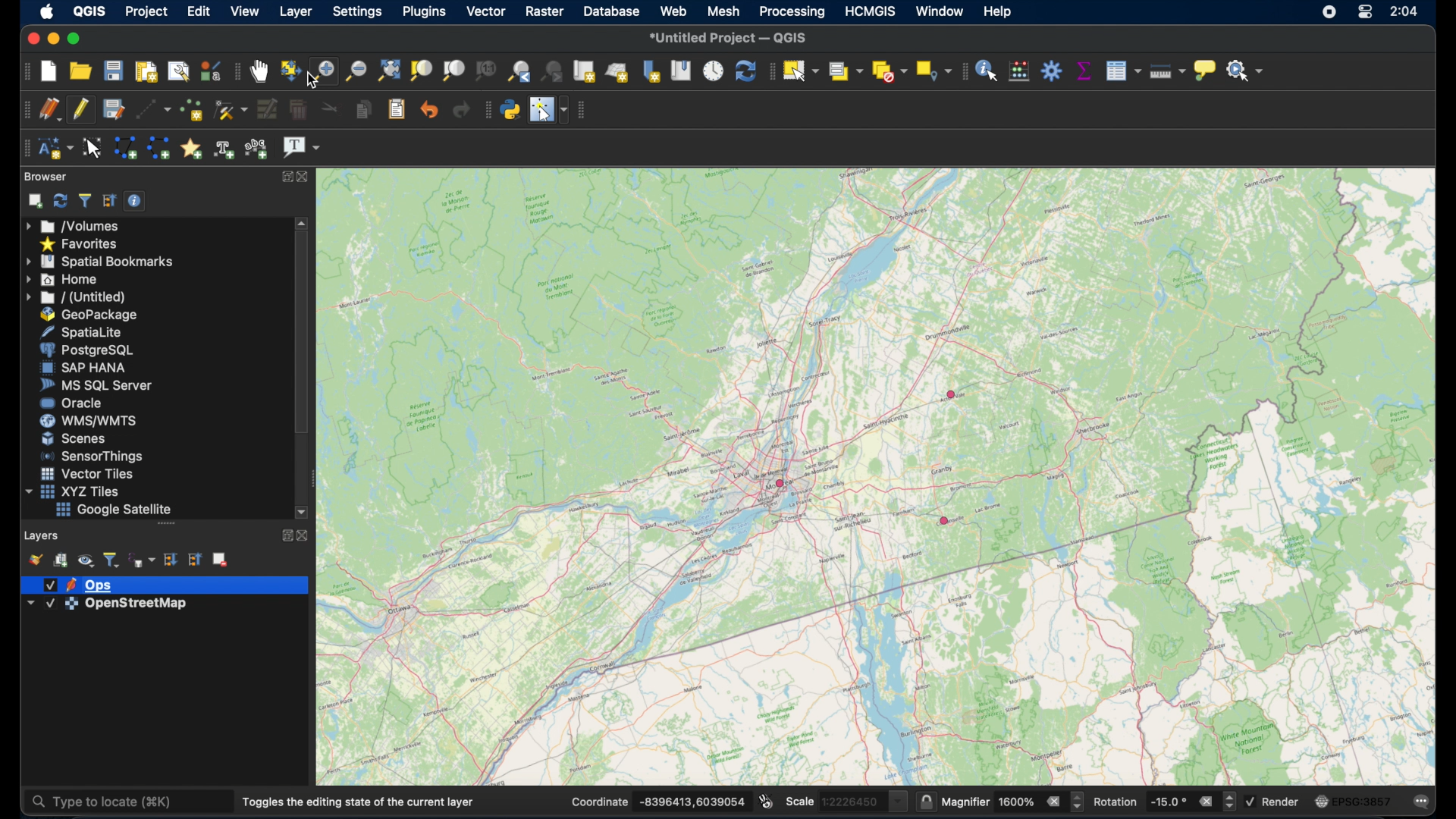  What do you see at coordinates (876, 253) in the screenshot?
I see `open street map` at bounding box center [876, 253].